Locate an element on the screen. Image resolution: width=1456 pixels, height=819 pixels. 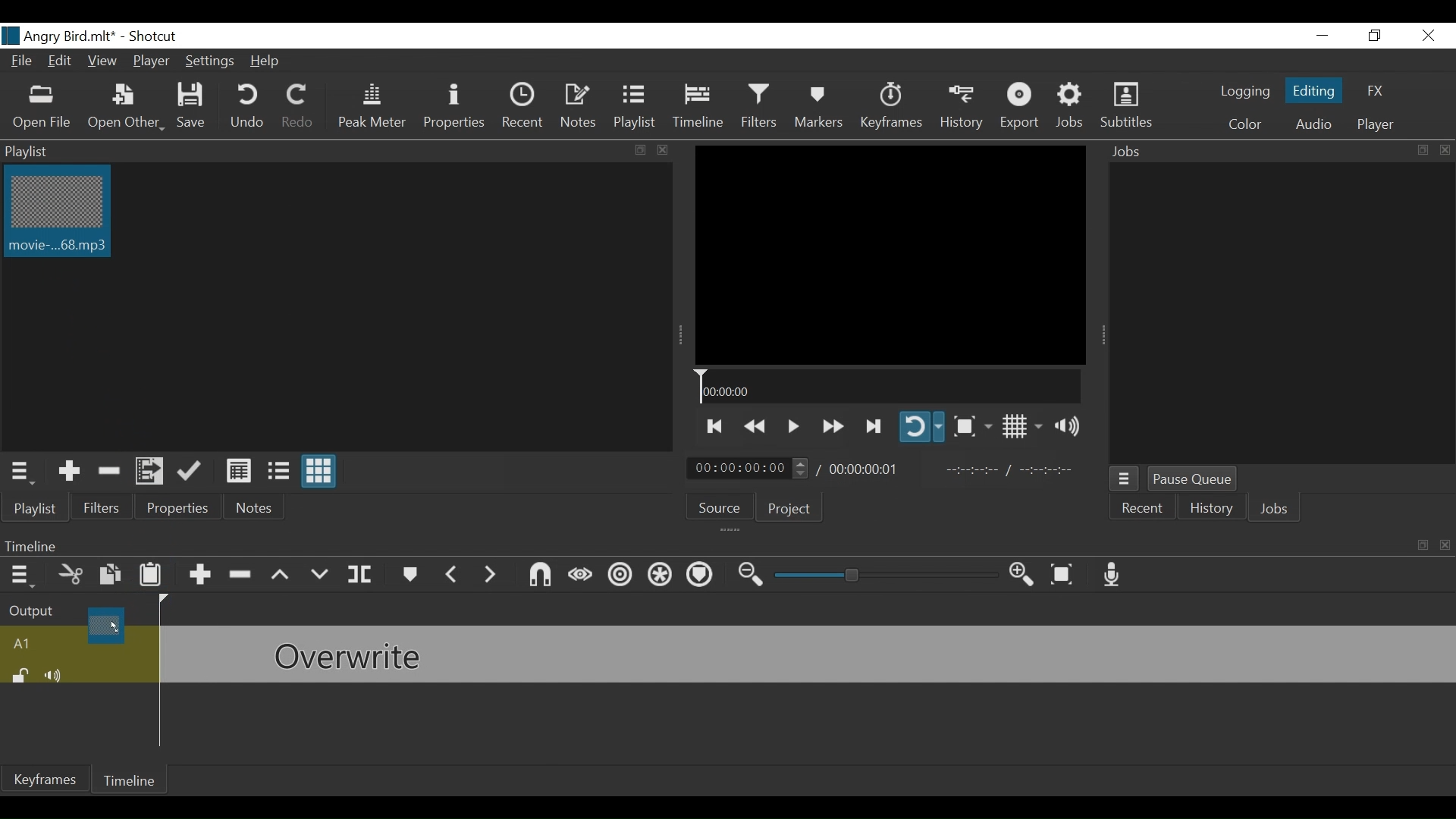
(un)lock track is located at coordinates (20, 673).